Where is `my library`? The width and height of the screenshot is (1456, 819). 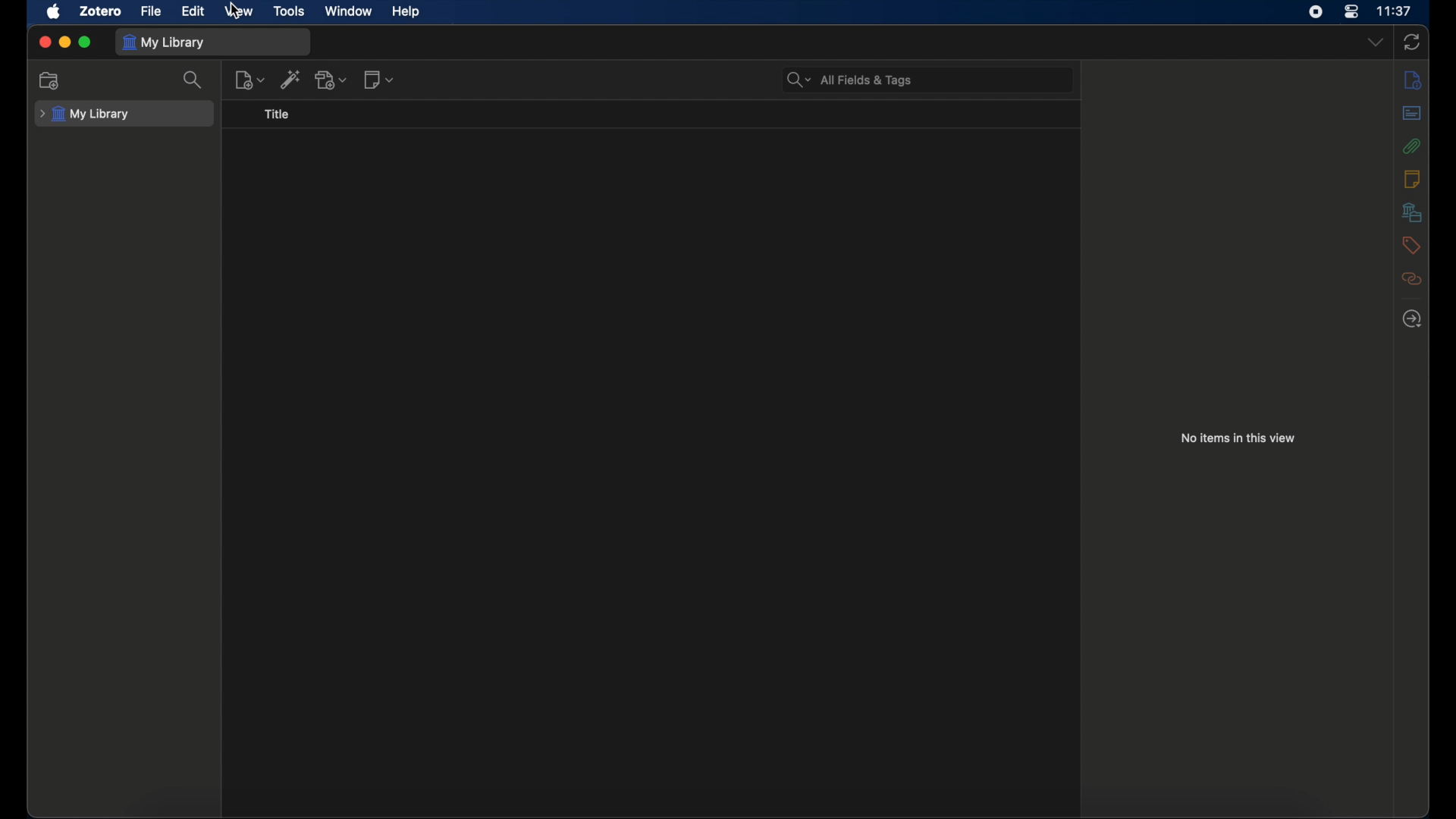 my library is located at coordinates (85, 114).